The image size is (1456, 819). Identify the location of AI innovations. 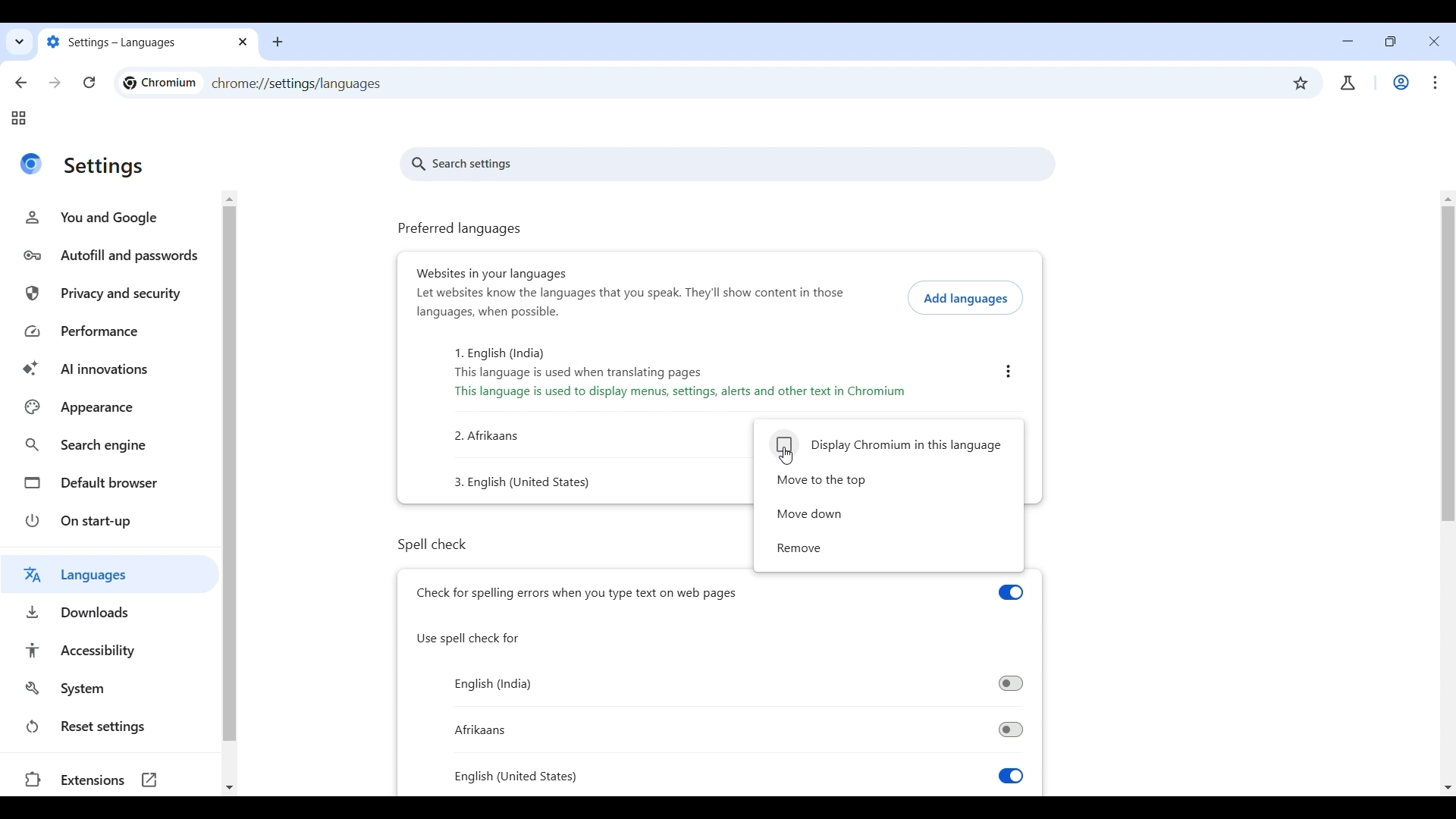
(114, 369).